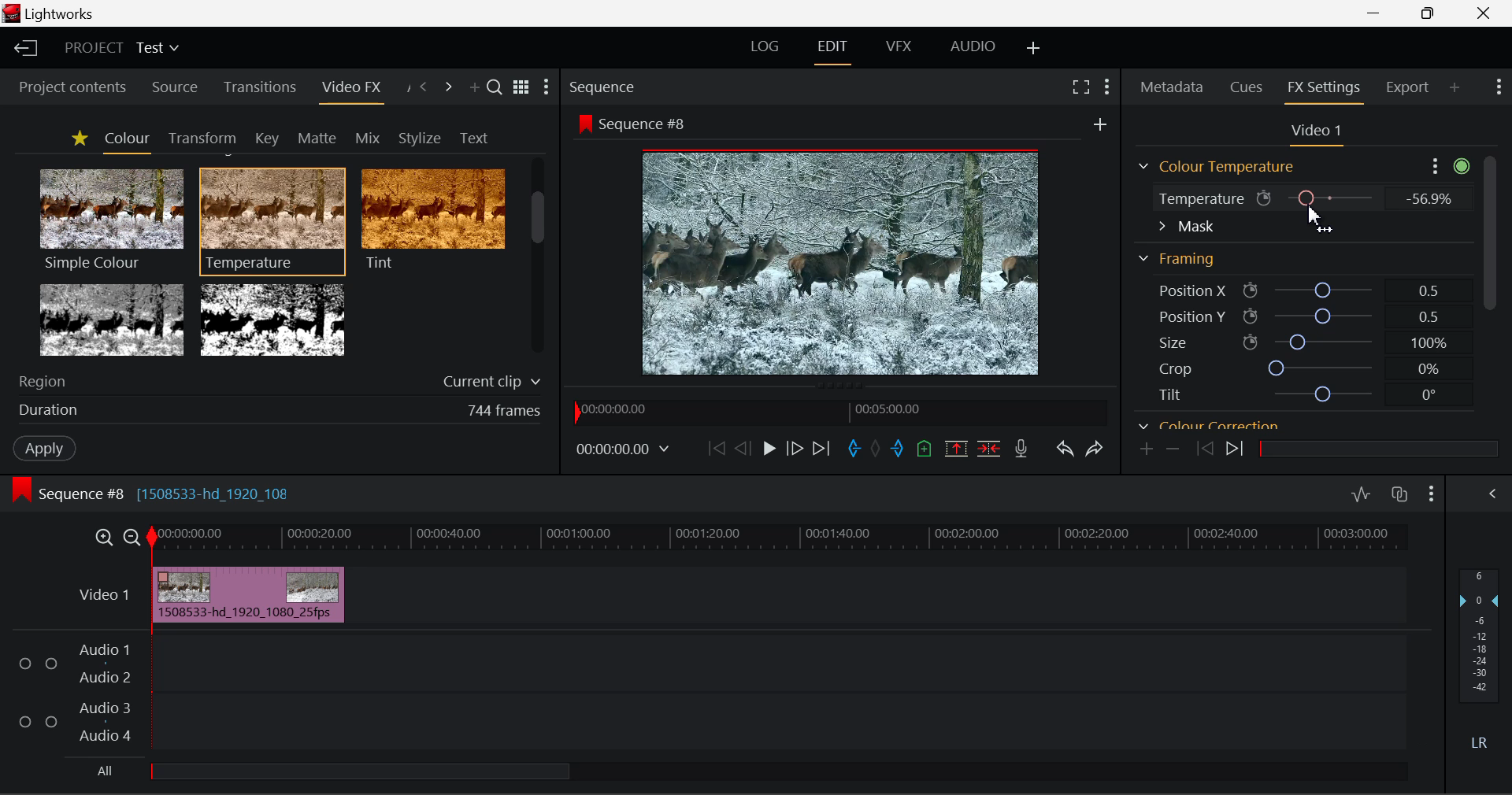  What do you see at coordinates (794, 449) in the screenshot?
I see `Go Forward` at bounding box center [794, 449].